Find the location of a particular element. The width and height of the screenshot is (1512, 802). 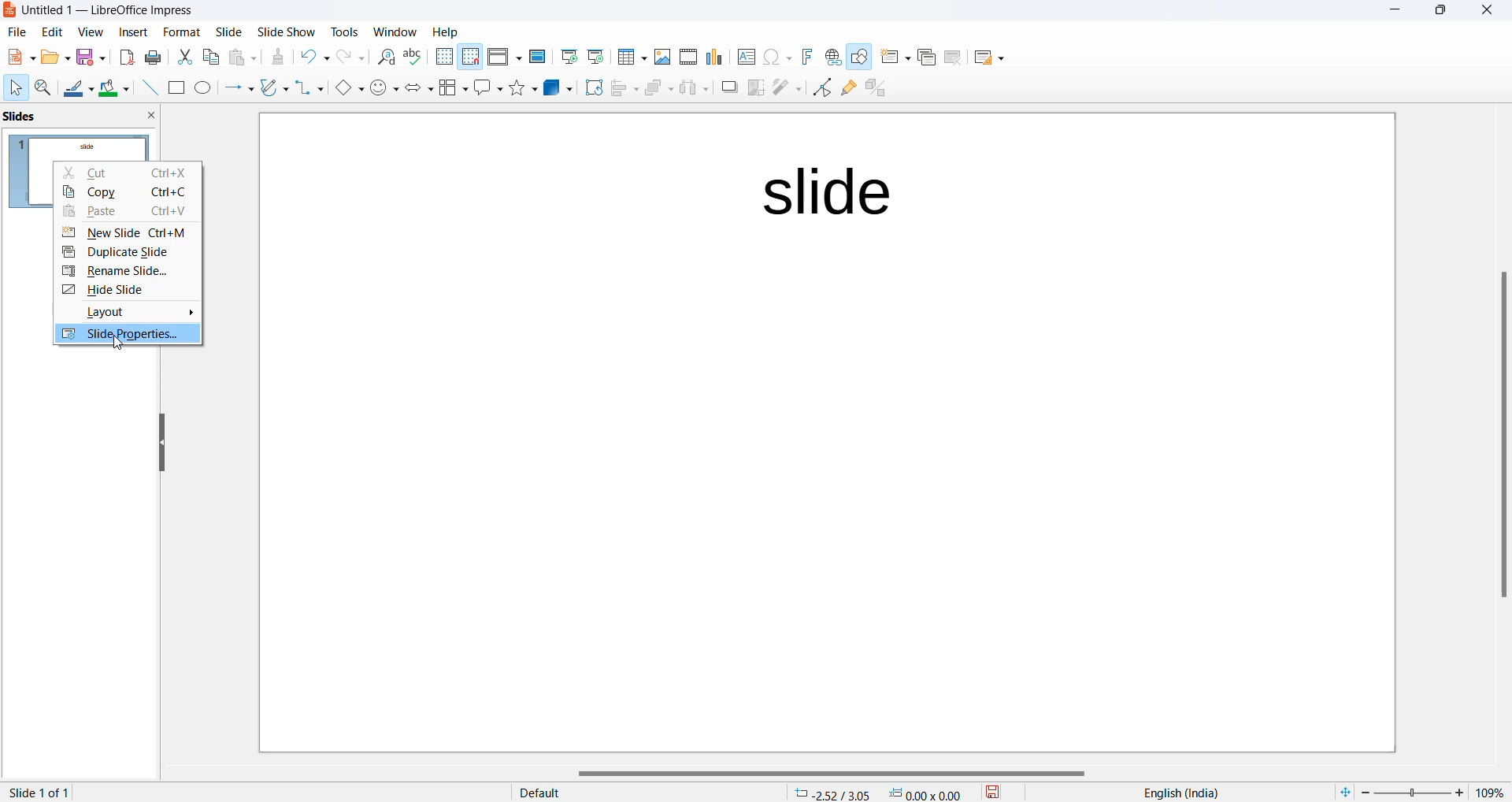

copy options is located at coordinates (212, 58).